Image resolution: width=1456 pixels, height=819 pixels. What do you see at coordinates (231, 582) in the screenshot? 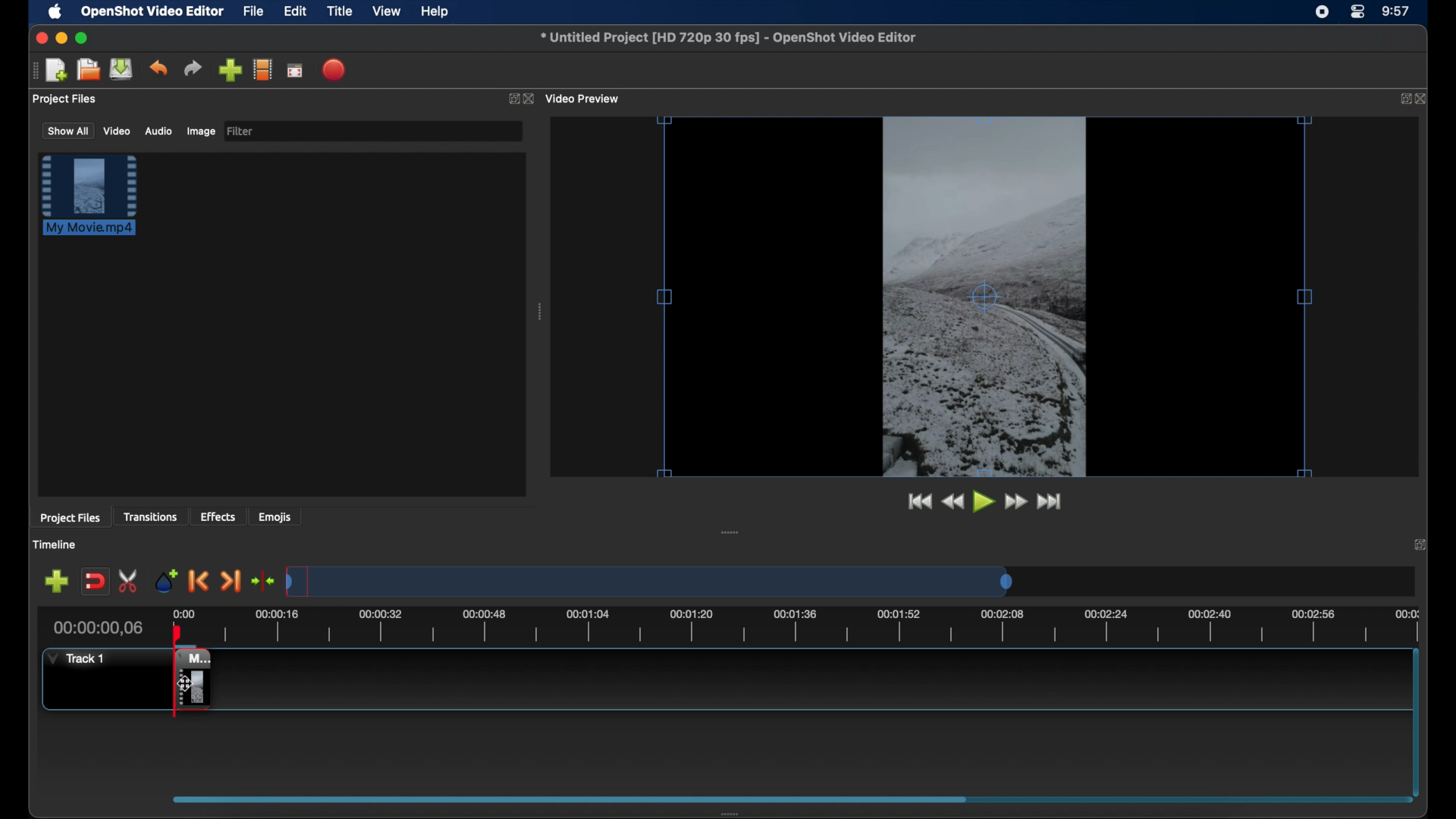
I see `next marker` at bounding box center [231, 582].